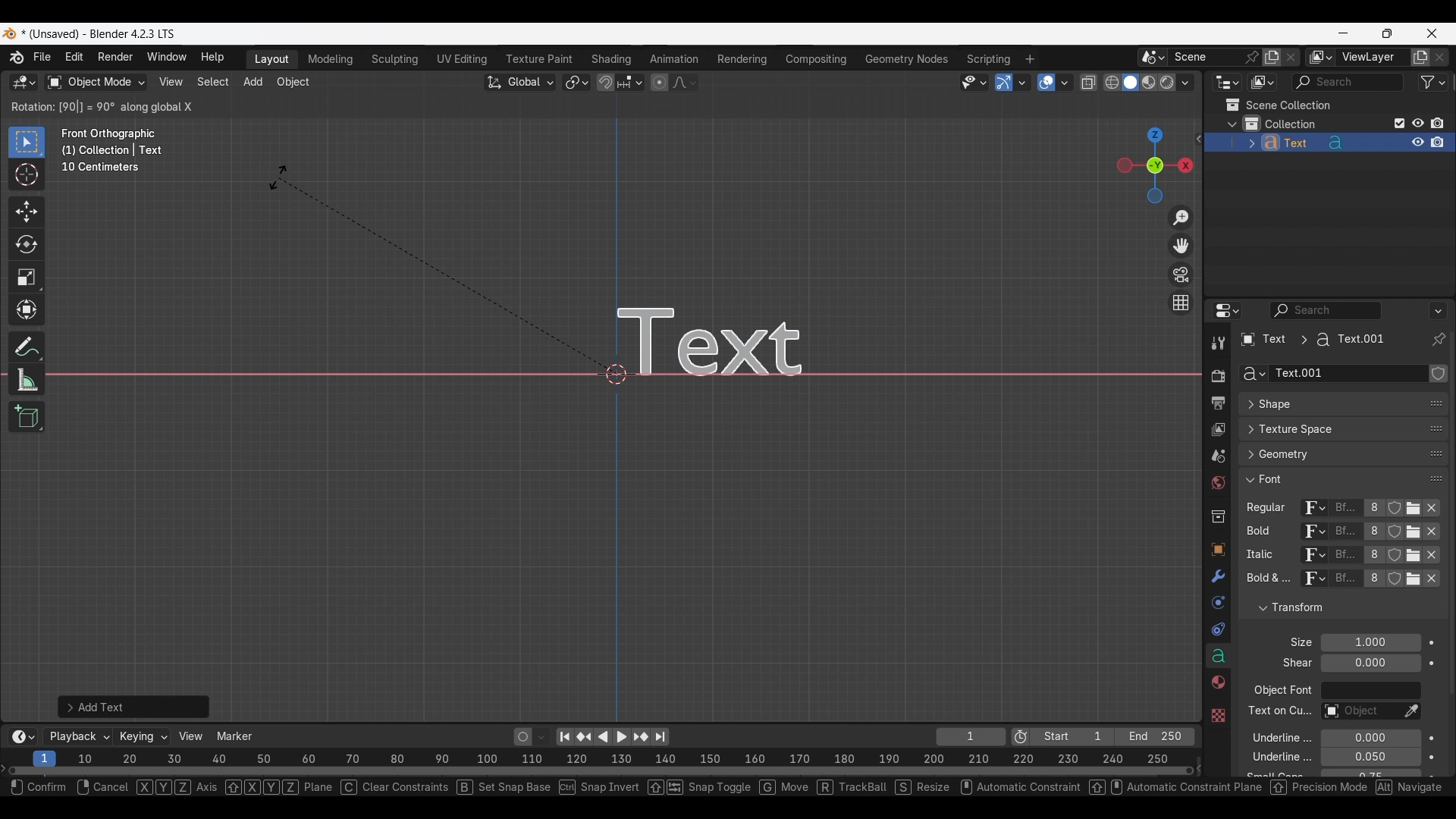 The image size is (1456, 819). What do you see at coordinates (1348, 374) in the screenshot?
I see `Name` at bounding box center [1348, 374].